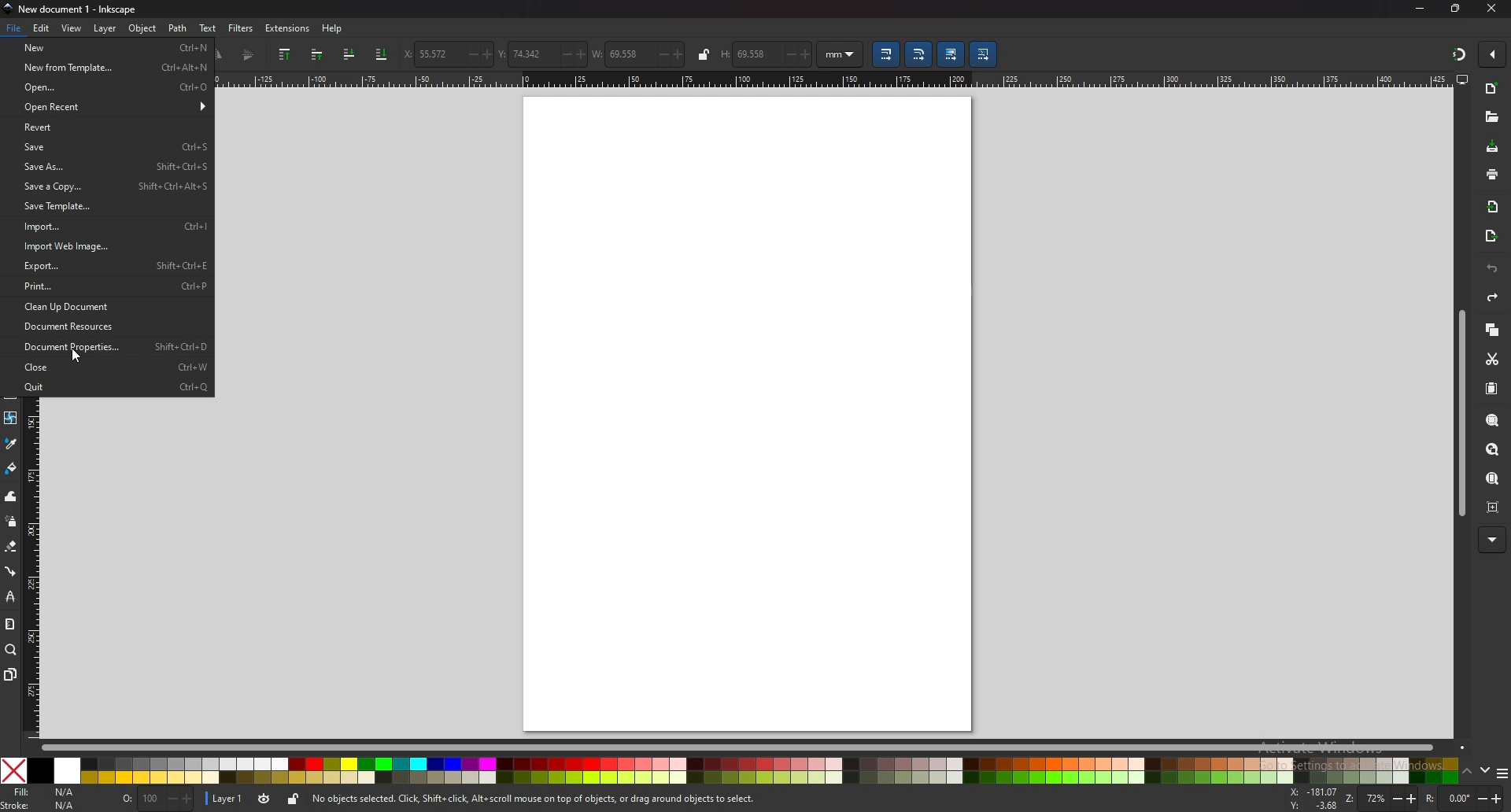 This screenshot has height=812, width=1511. Describe the element at coordinates (1478, 798) in the screenshot. I see `-` at that location.